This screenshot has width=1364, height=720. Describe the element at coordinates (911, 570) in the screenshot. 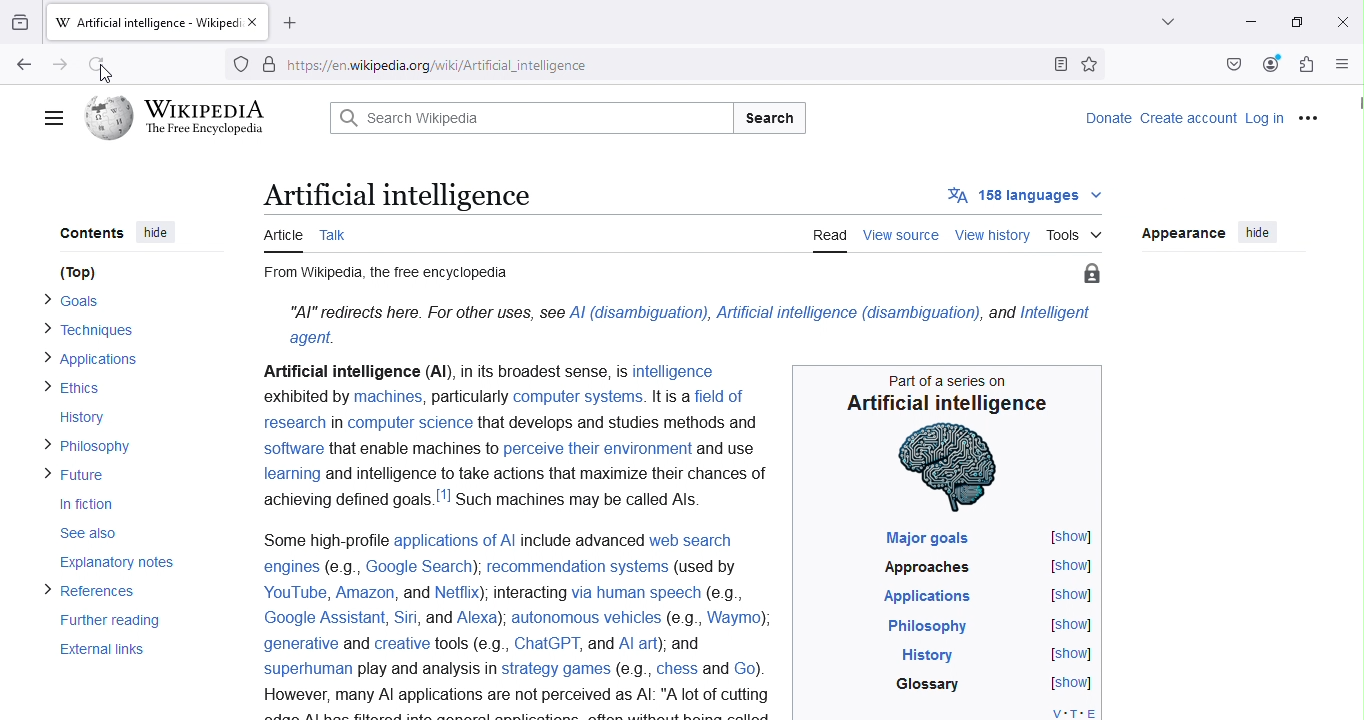

I see `Approaches` at that location.